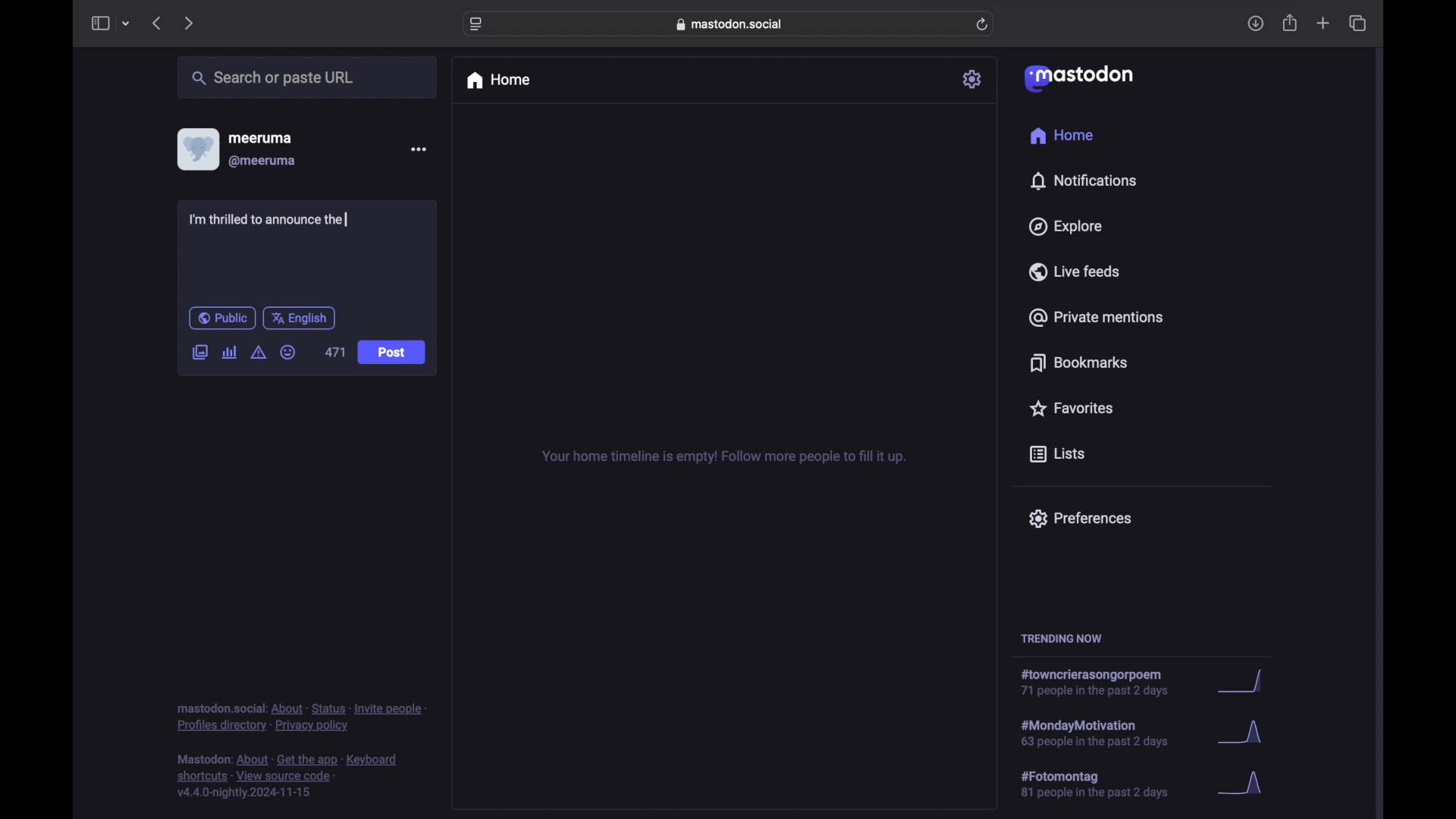  Describe the element at coordinates (264, 162) in the screenshot. I see `@meeruma` at that location.